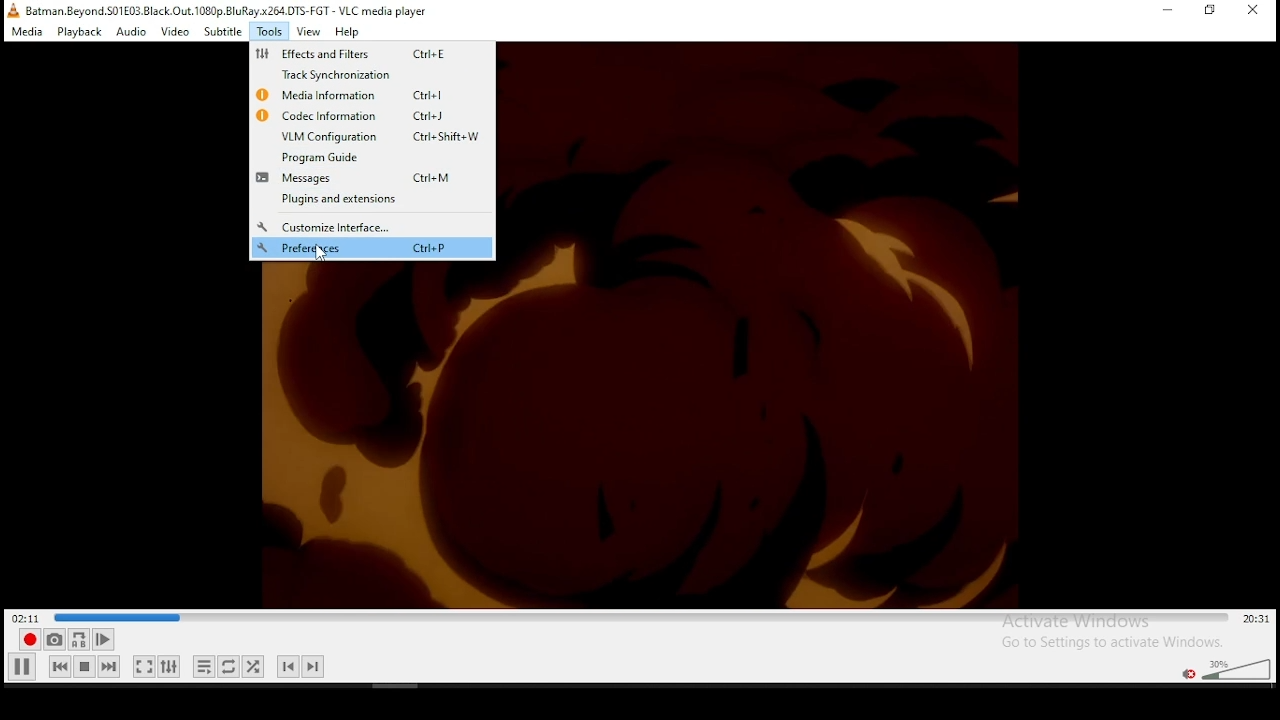 Image resolution: width=1280 pixels, height=720 pixels. What do you see at coordinates (103, 639) in the screenshot?
I see `frame by frame` at bounding box center [103, 639].